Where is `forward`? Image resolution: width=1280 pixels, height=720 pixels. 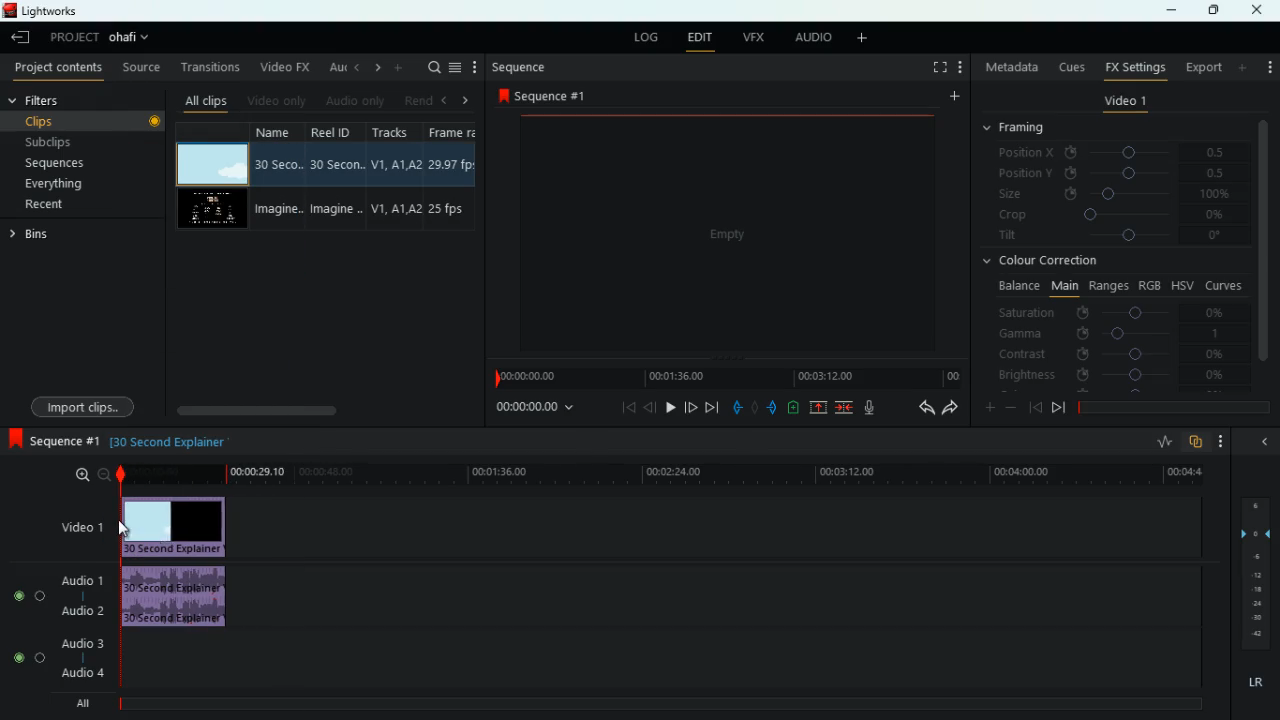 forward is located at coordinates (691, 407).